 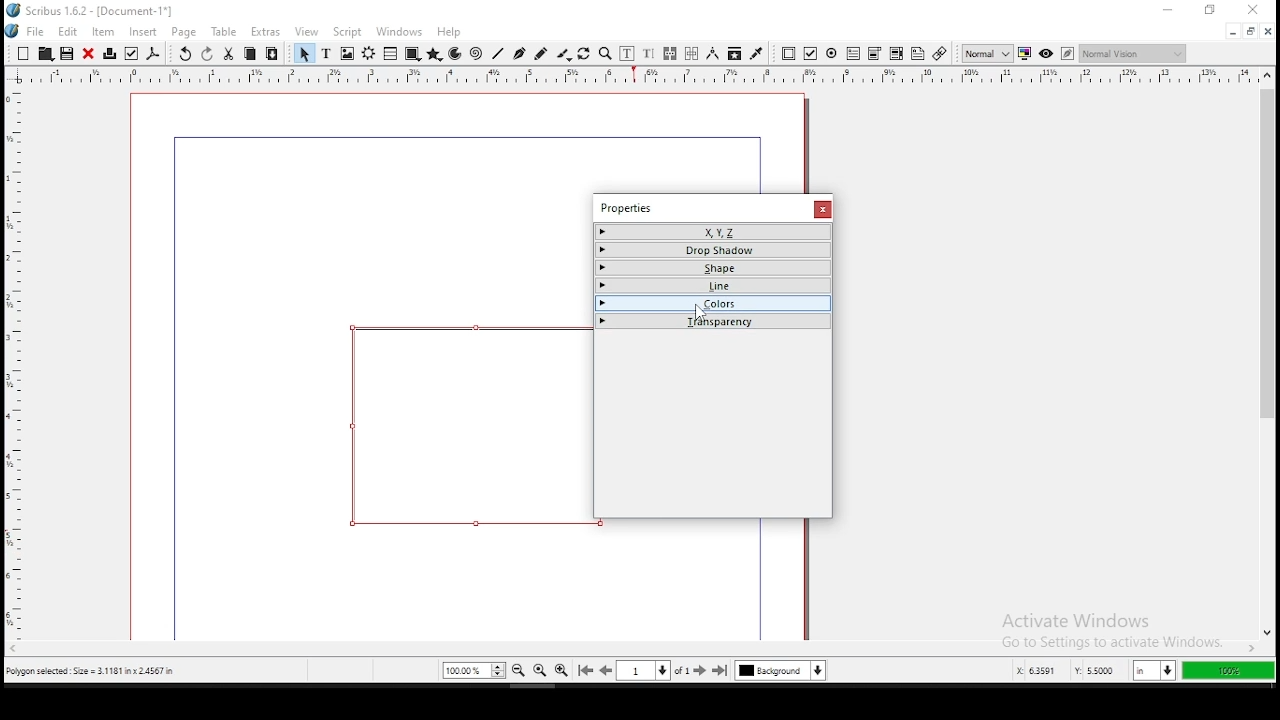 What do you see at coordinates (1111, 624) in the screenshot?
I see `activate windows` at bounding box center [1111, 624].